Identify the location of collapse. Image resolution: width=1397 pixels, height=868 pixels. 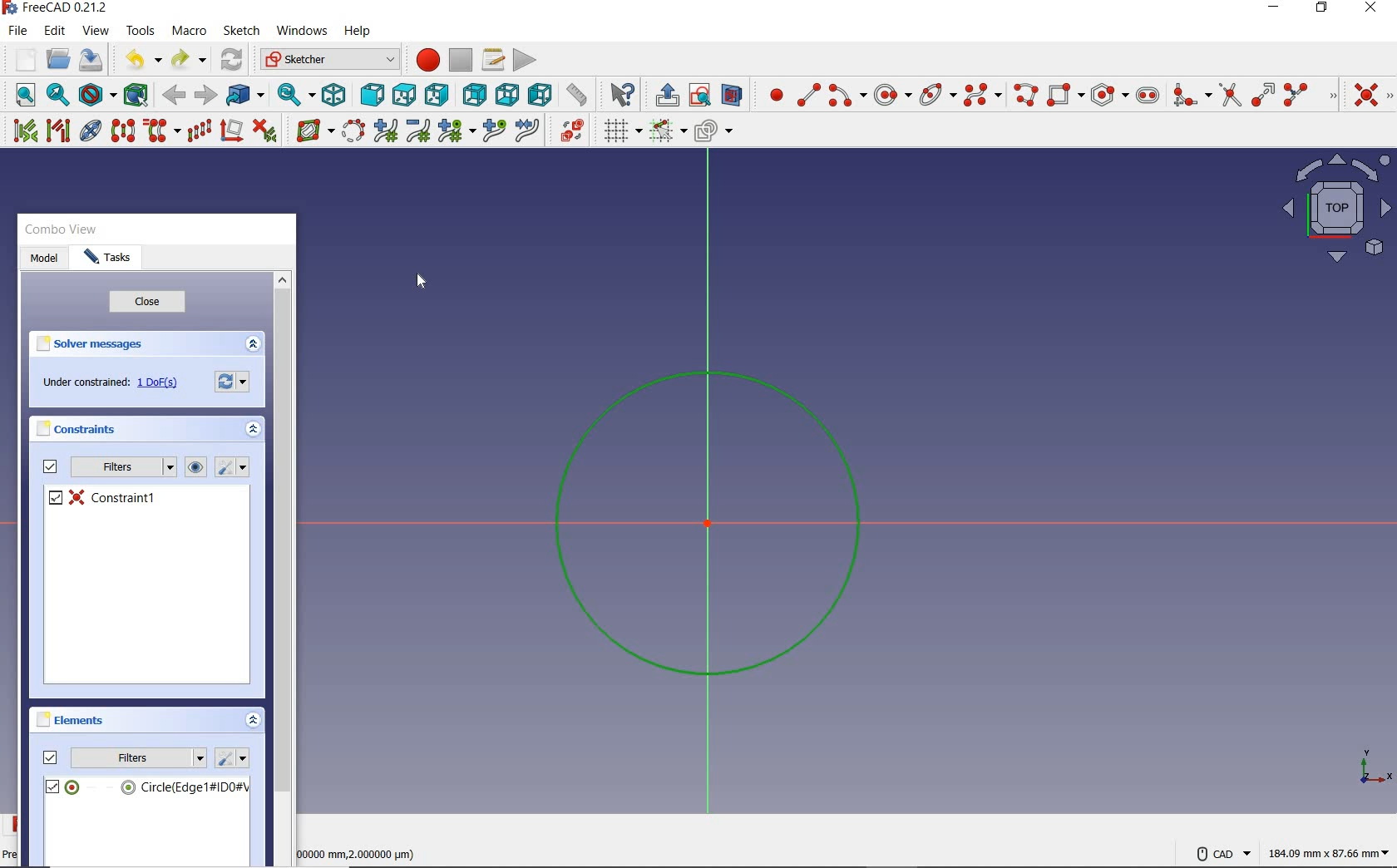
(254, 722).